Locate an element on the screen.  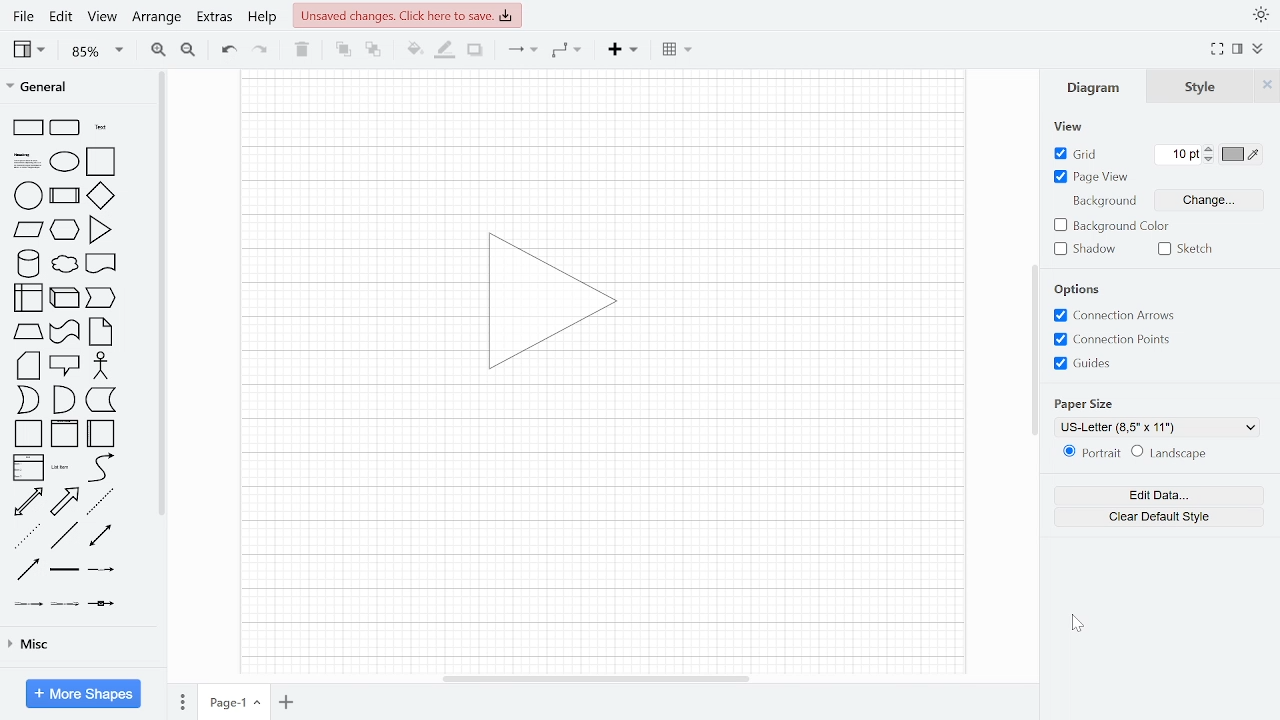
Bidirectional arrow is located at coordinates (28, 502).